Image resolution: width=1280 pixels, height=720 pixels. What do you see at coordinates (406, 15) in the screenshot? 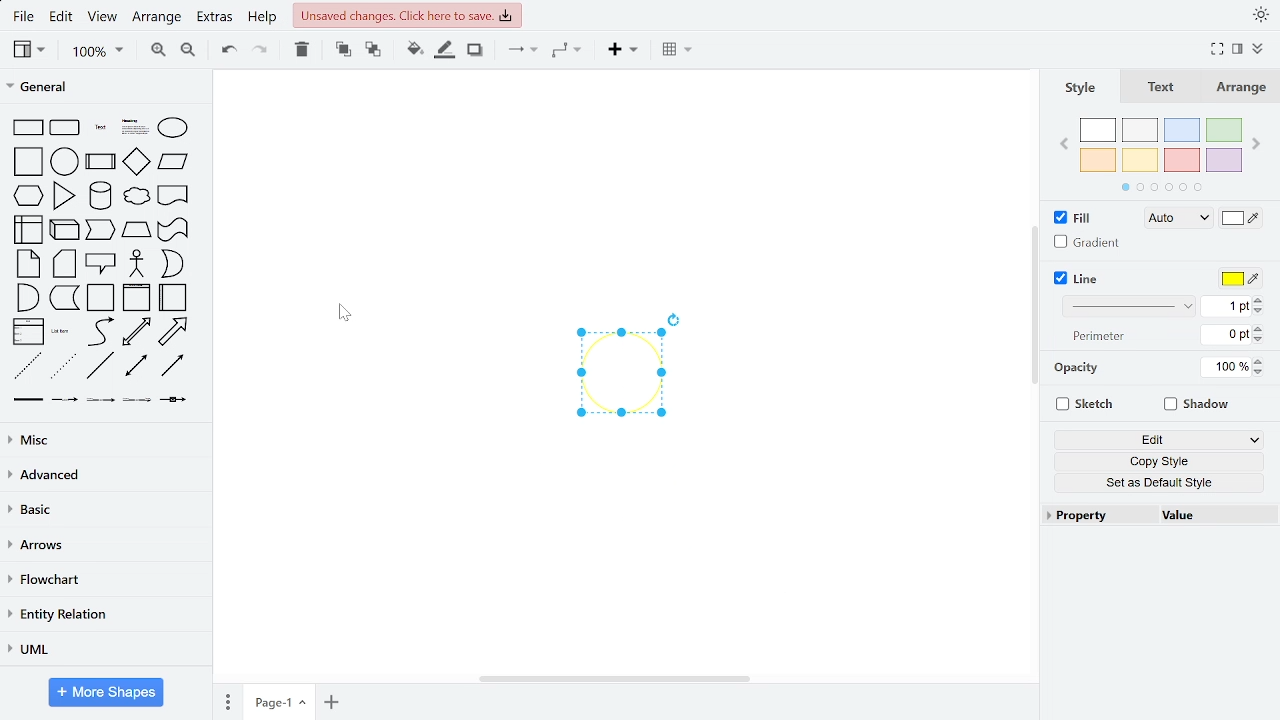
I see `unsaved changes. Click here to save` at bounding box center [406, 15].